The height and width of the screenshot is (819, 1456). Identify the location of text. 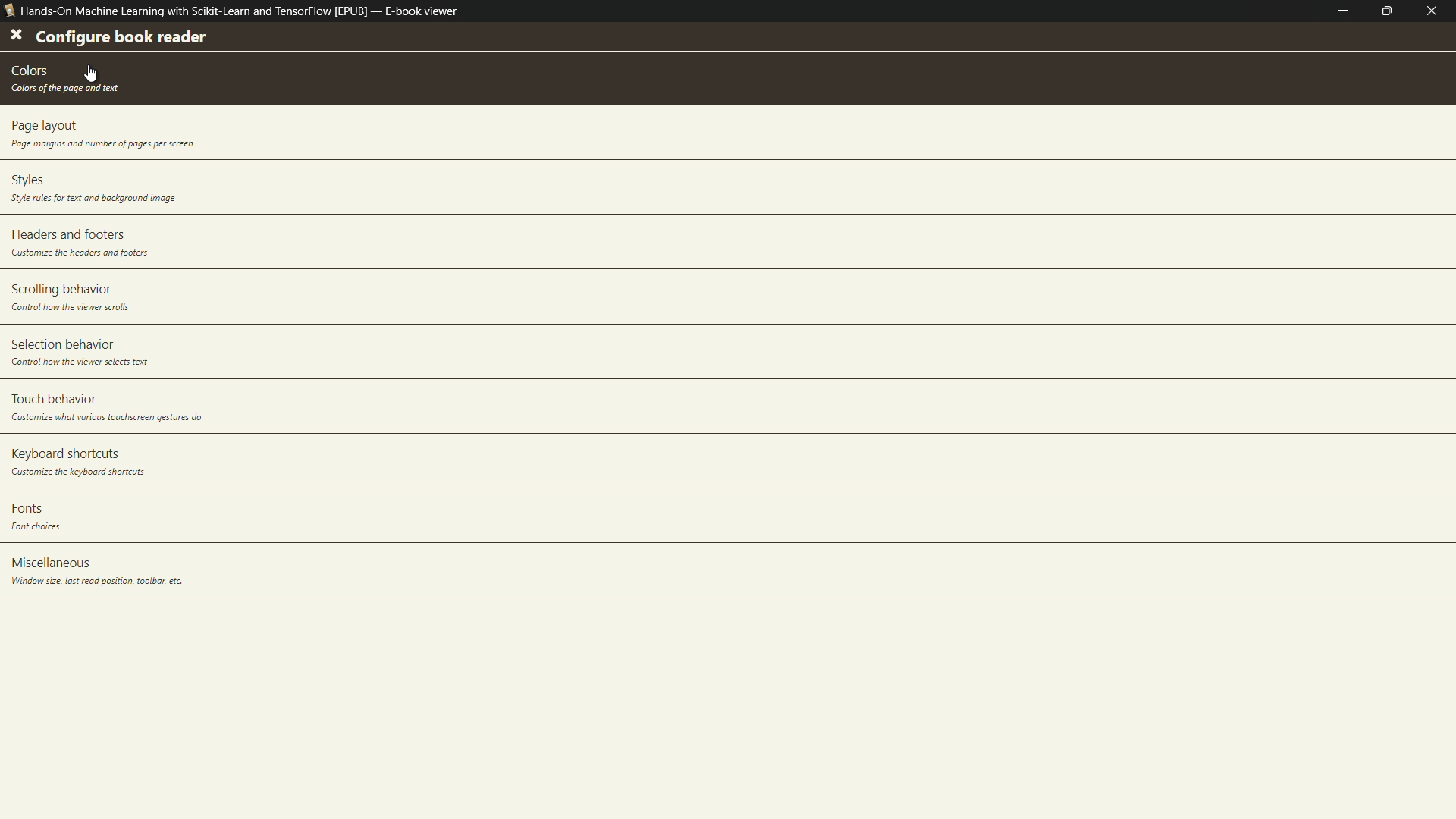
(83, 362).